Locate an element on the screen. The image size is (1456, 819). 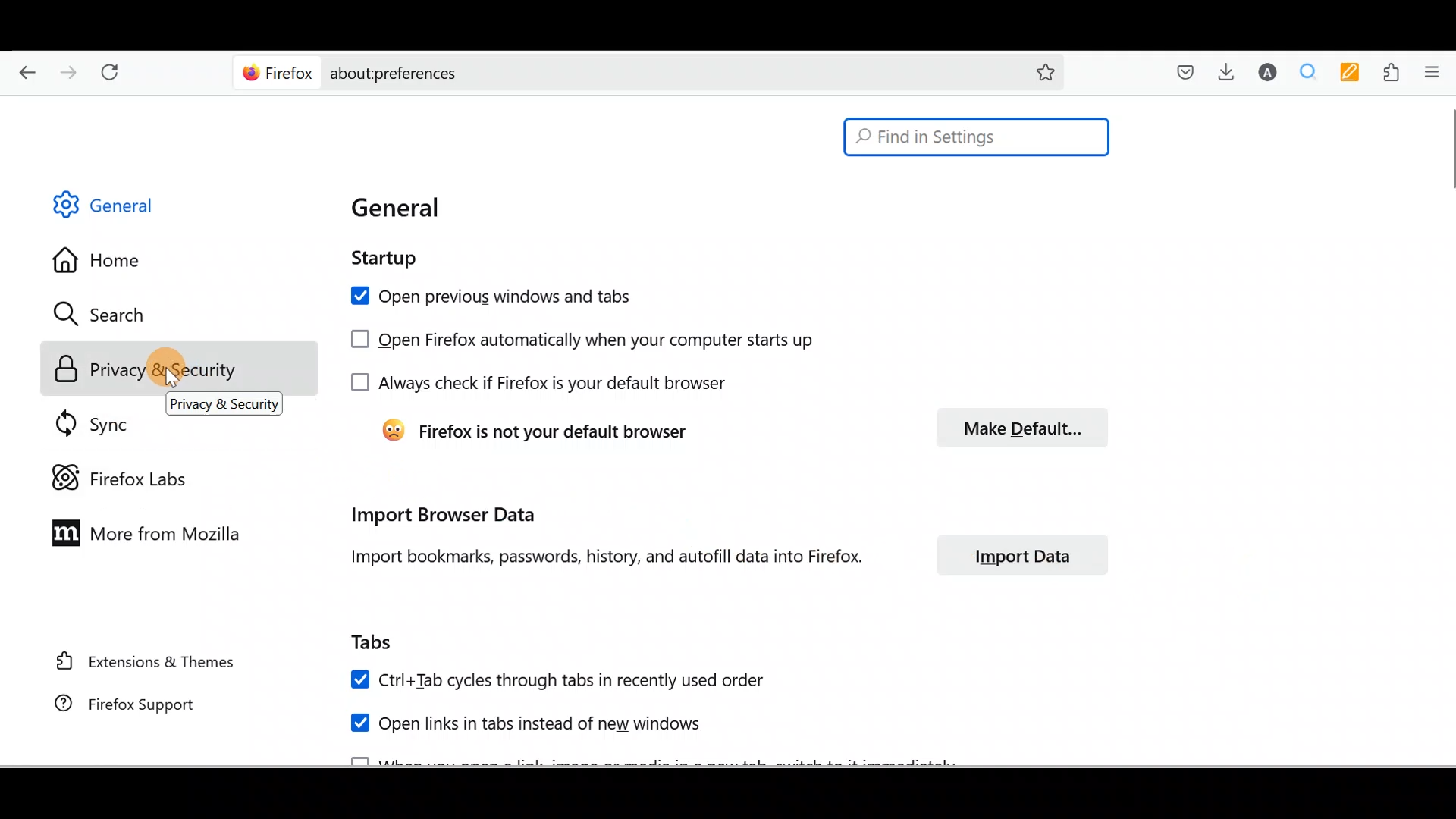
General is located at coordinates (124, 204).